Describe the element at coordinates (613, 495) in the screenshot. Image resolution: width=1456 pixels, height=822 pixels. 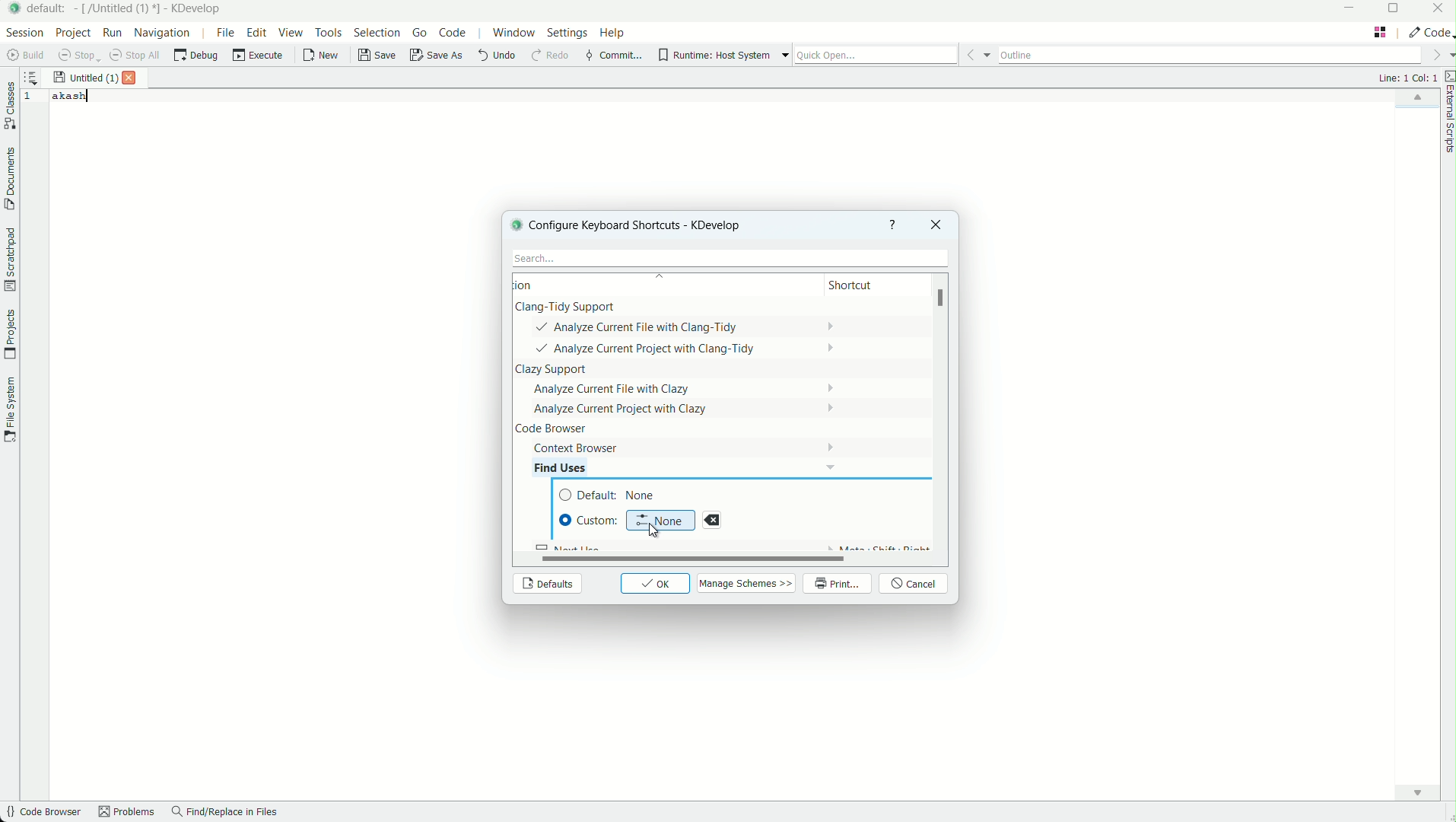
I see `default` at that location.